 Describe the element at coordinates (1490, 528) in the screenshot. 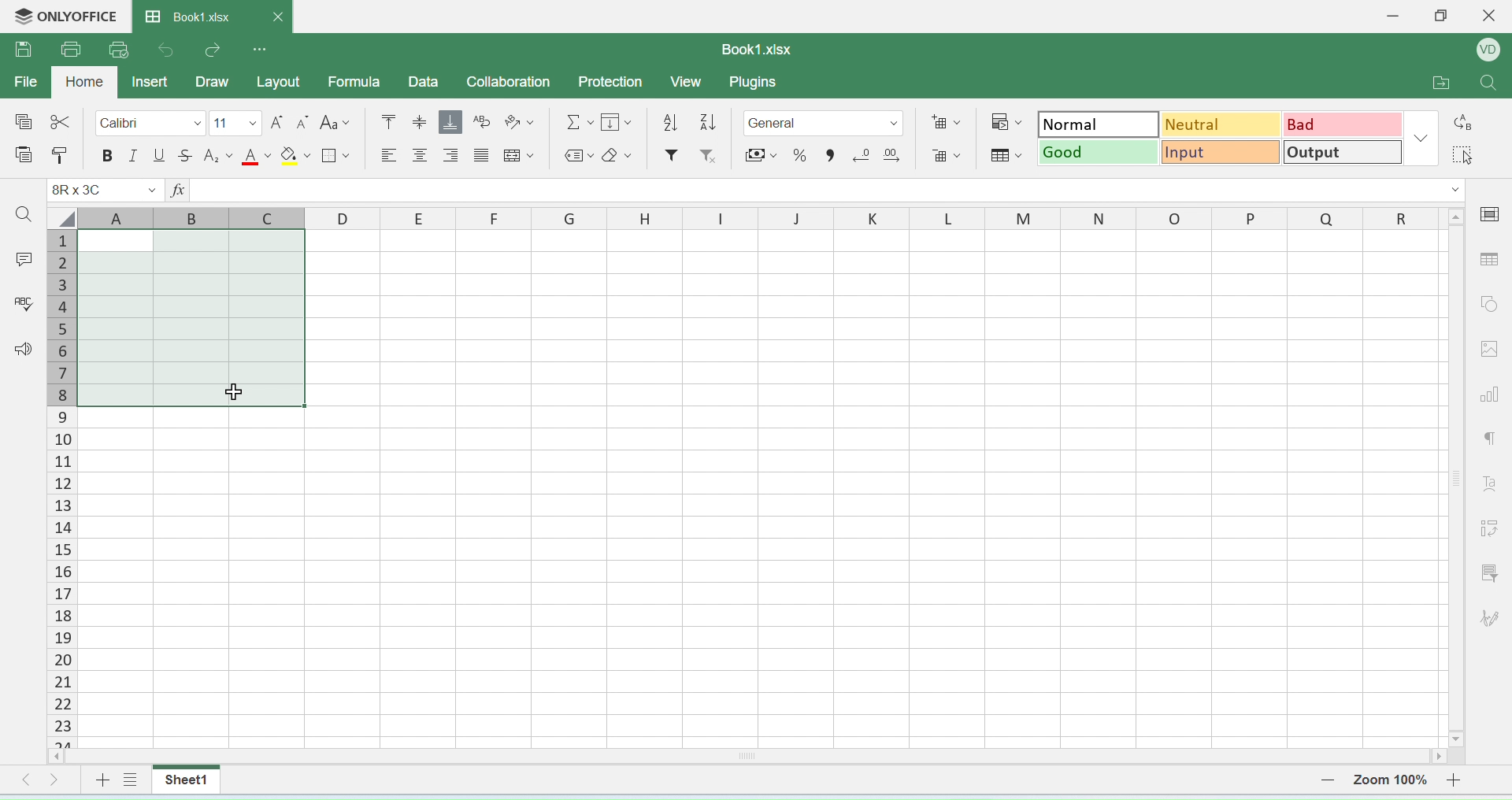

I see `adjust cells` at that location.